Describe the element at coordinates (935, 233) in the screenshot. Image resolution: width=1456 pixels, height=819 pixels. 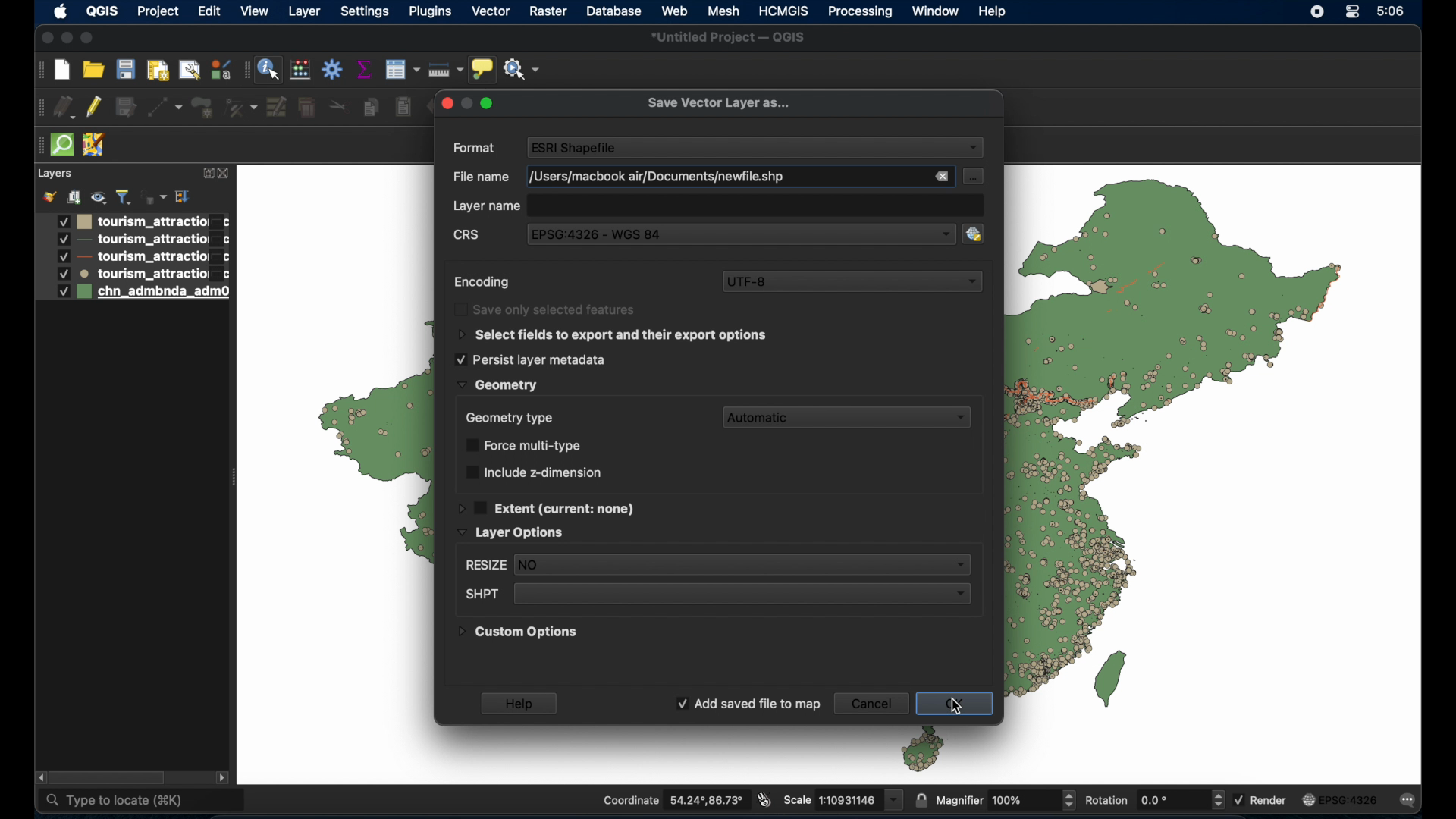
I see `dropdown` at that location.